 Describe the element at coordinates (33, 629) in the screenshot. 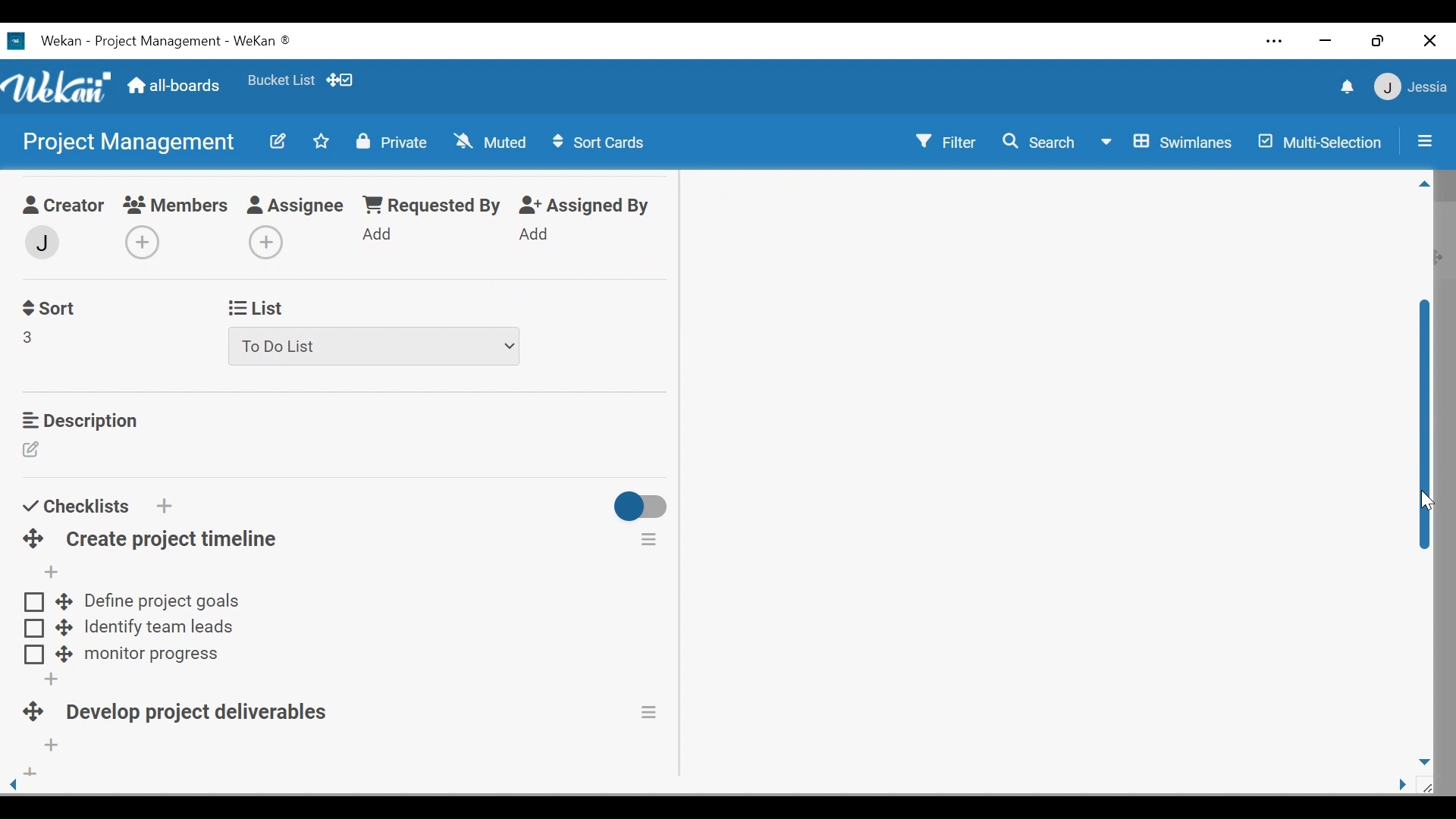

I see `(un)check` at that location.